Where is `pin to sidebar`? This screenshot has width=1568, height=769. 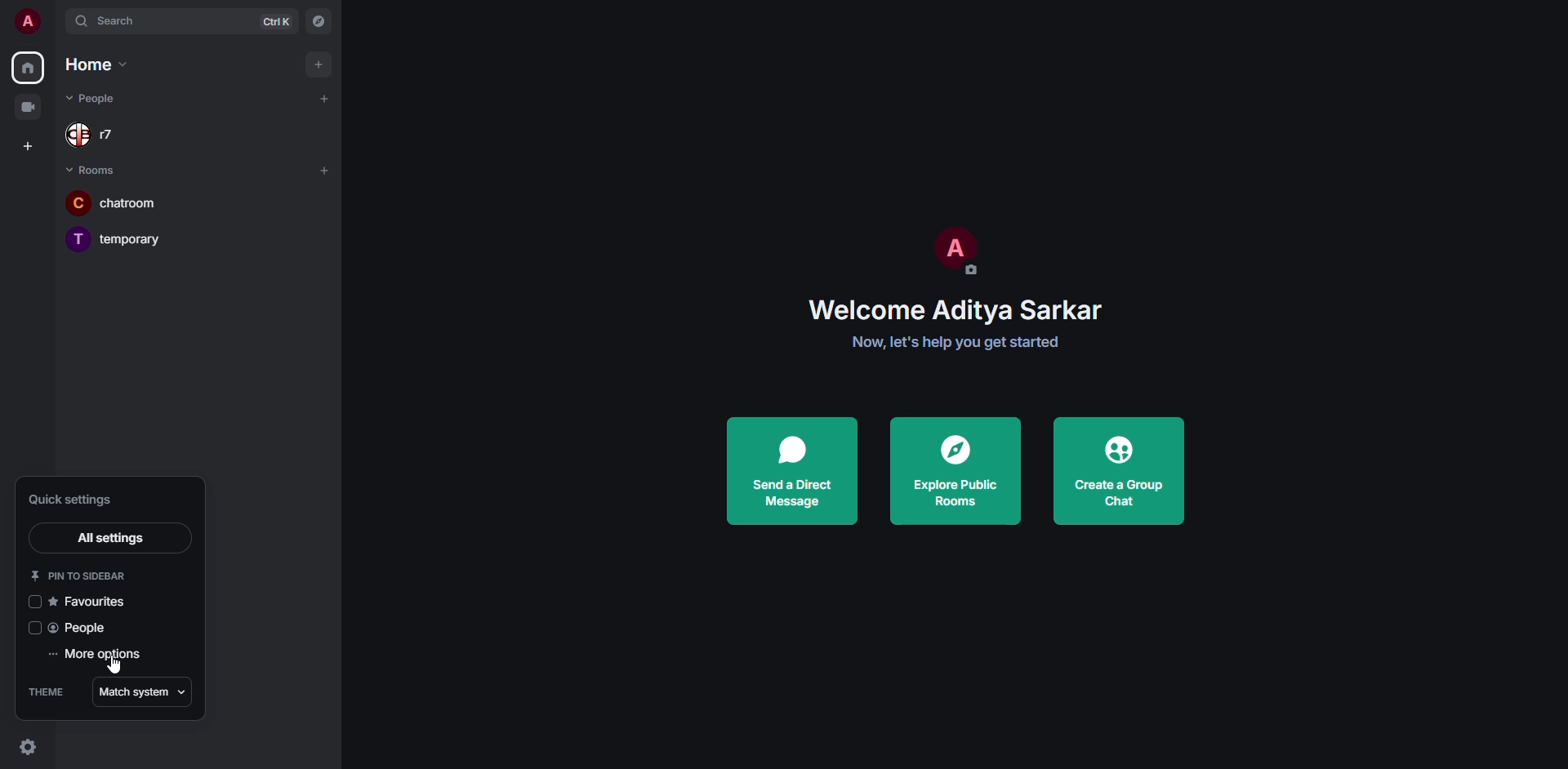 pin to sidebar is located at coordinates (81, 573).